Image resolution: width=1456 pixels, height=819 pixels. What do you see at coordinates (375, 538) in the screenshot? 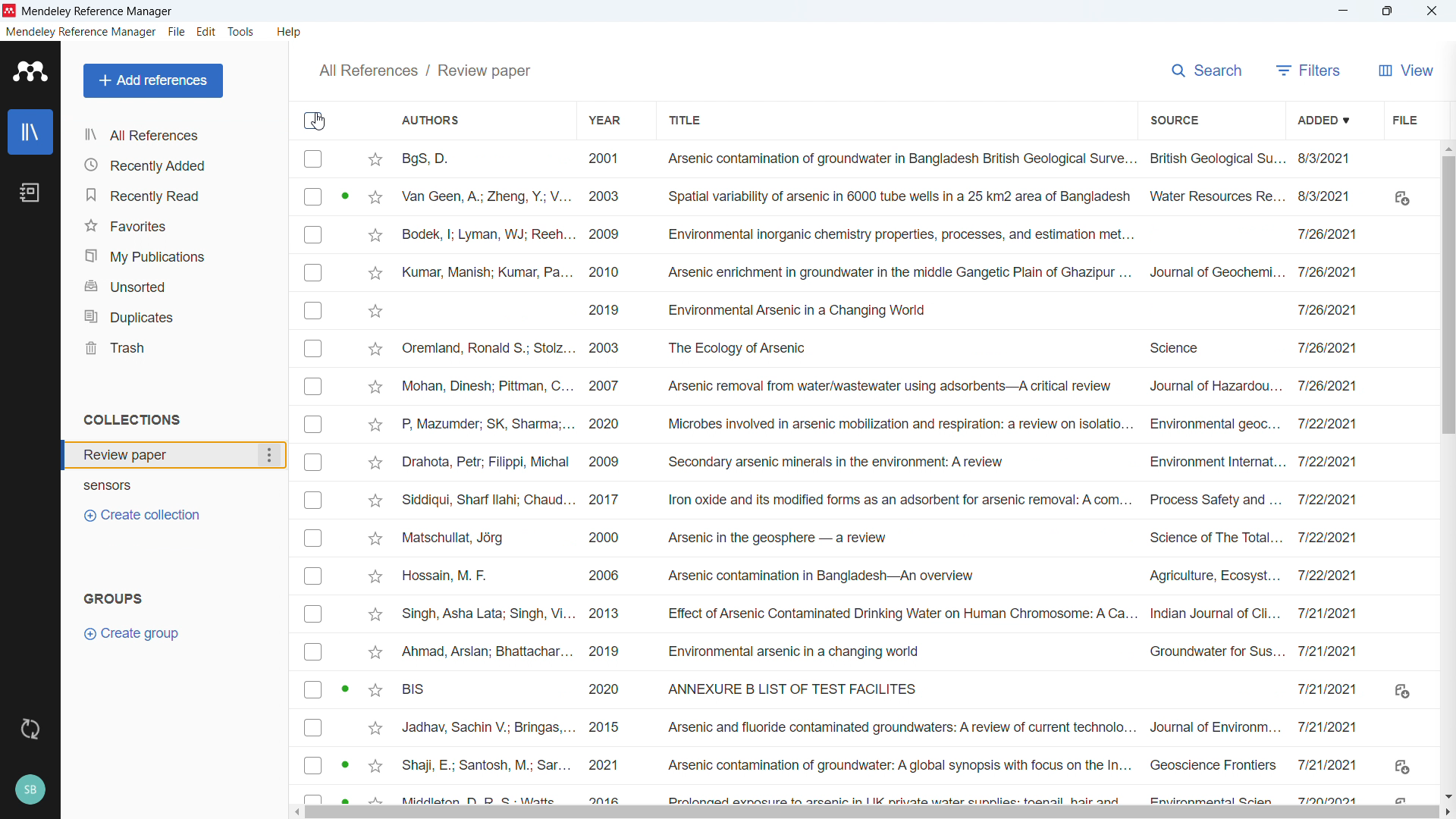
I see `Star mark respective publication` at bounding box center [375, 538].